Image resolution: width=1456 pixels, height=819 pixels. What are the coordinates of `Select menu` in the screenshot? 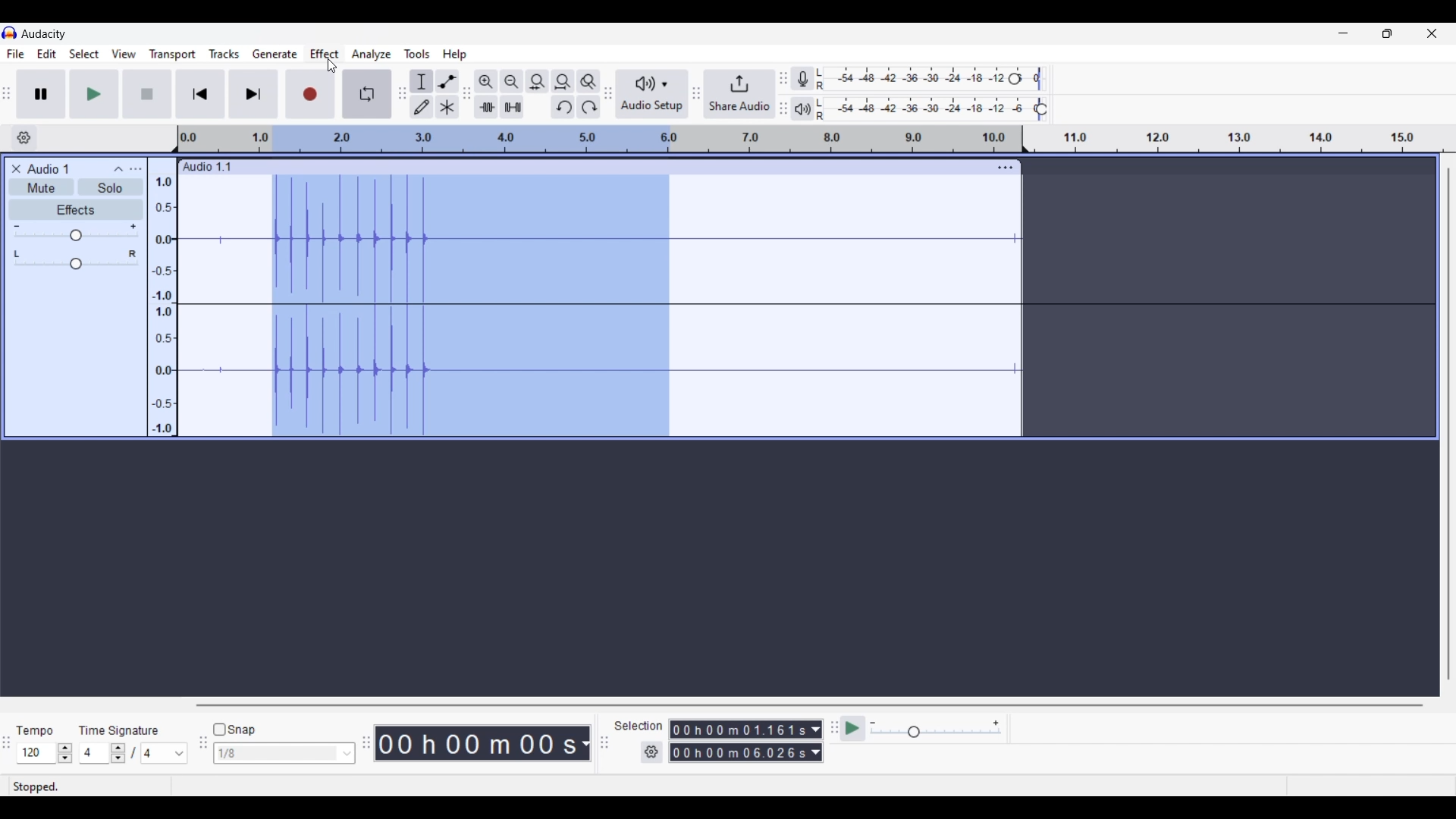 It's located at (84, 54).